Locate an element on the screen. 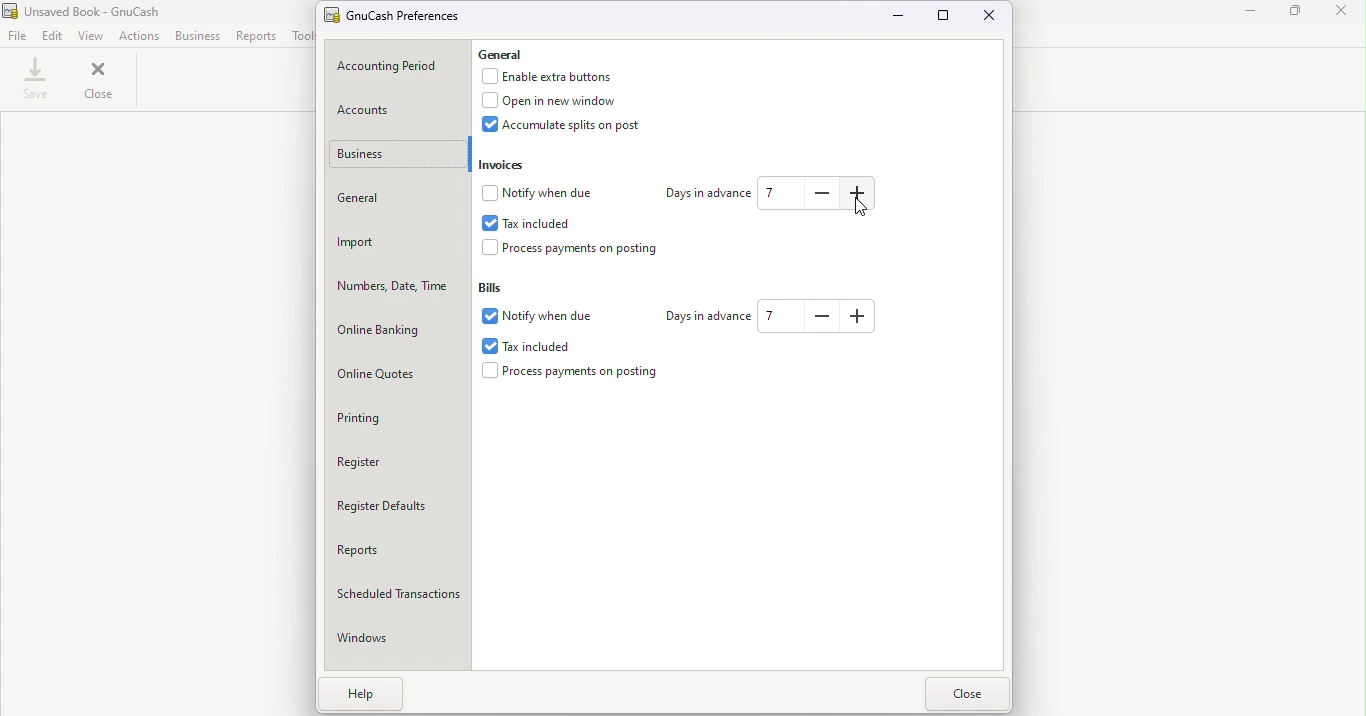 The width and height of the screenshot is (1366, 716). Report is located at coordinates (258, 36).